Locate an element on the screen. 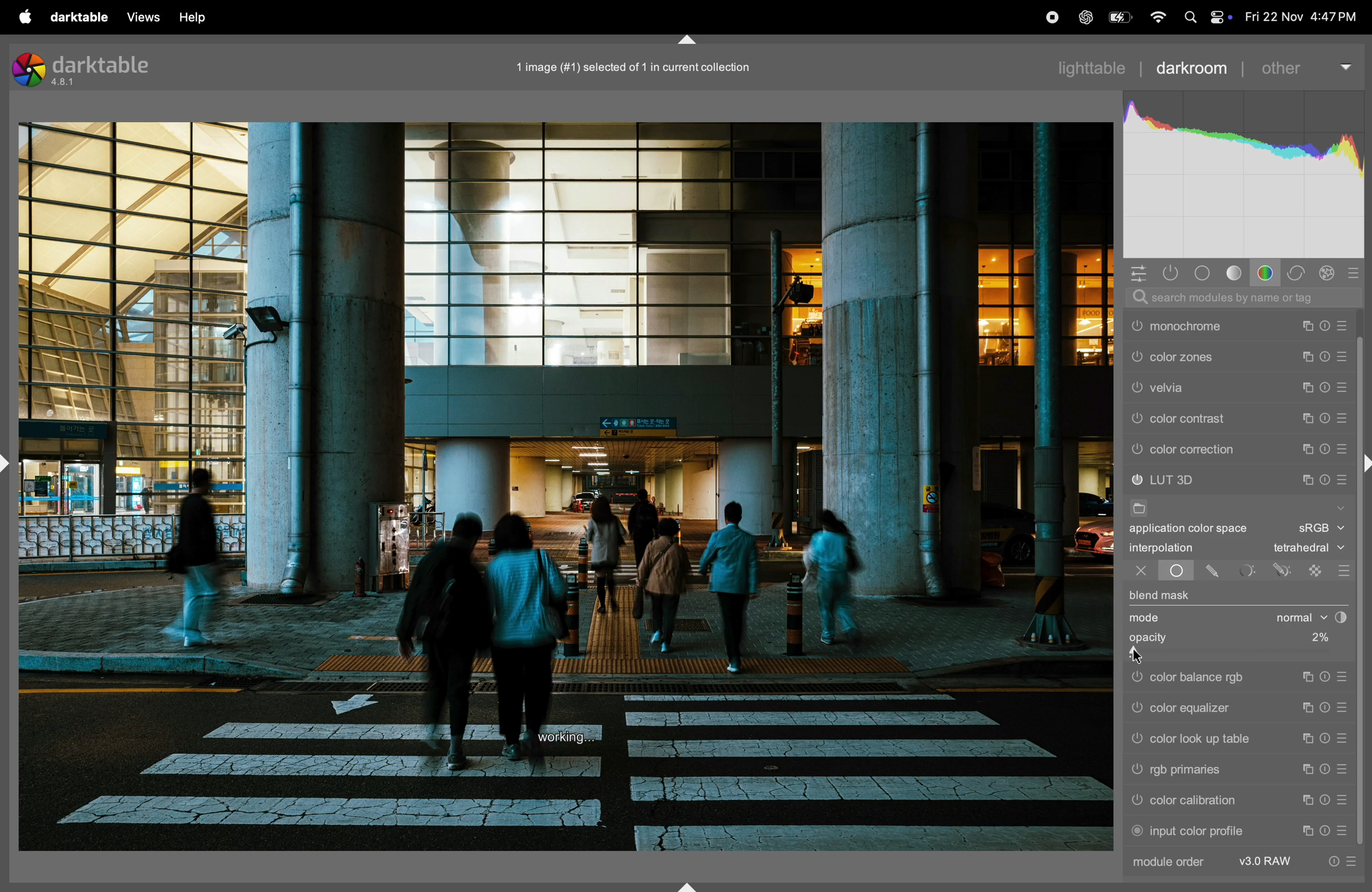 The image size is (1372, 892). record is located at coordinates (1047, 17).